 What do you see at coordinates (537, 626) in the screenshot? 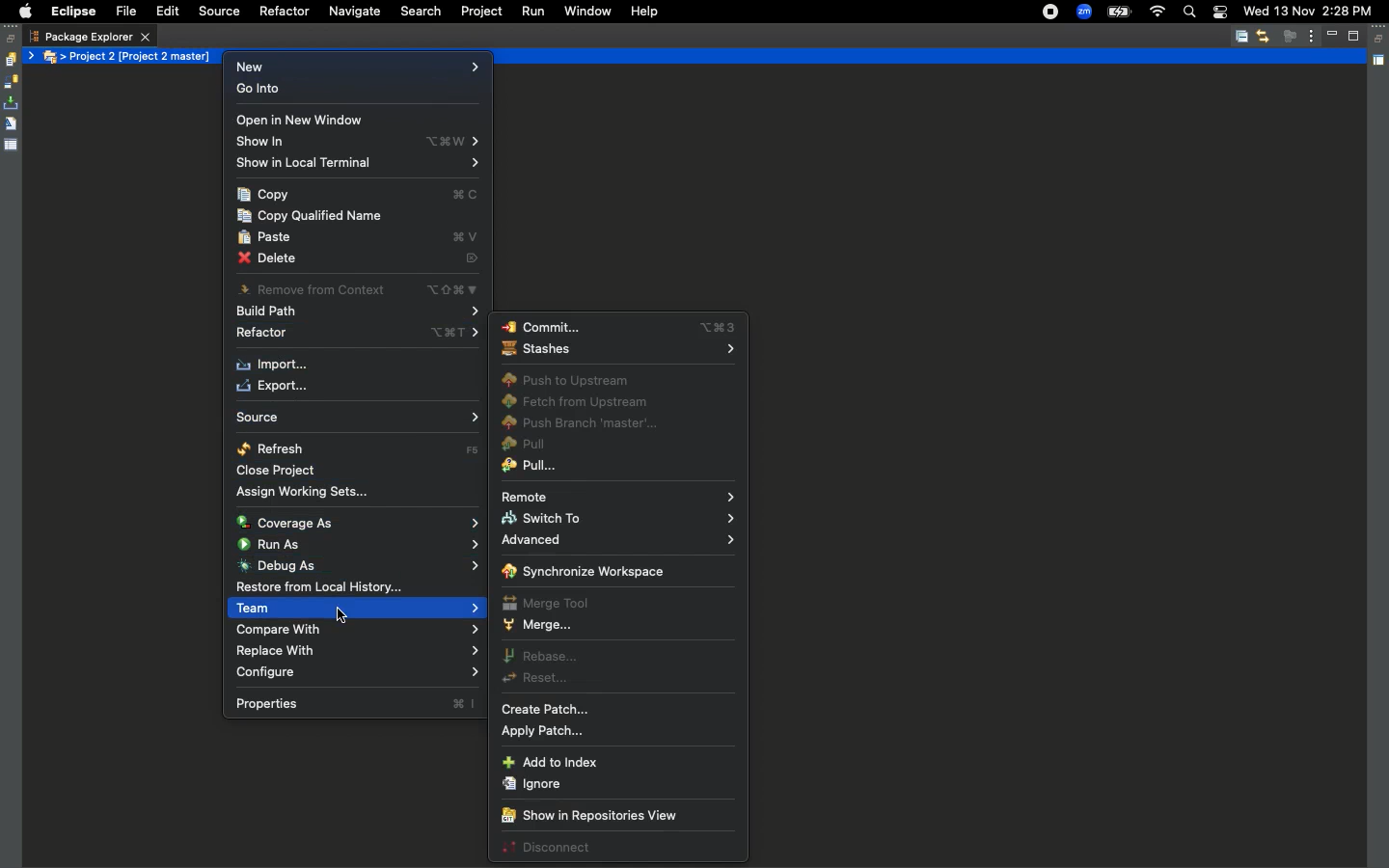
I see `Merge` at bounding box center [537, 626].